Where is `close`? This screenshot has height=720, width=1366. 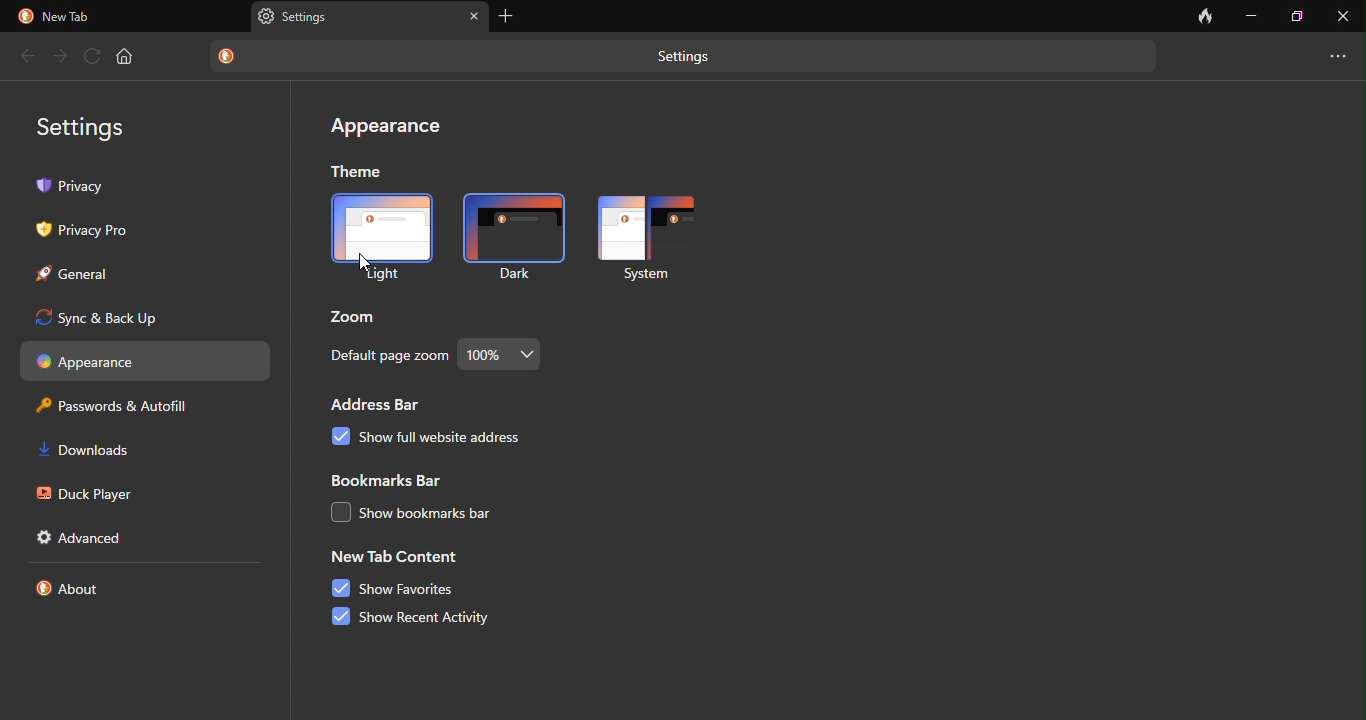
close is located at coordinates (1342, 15).